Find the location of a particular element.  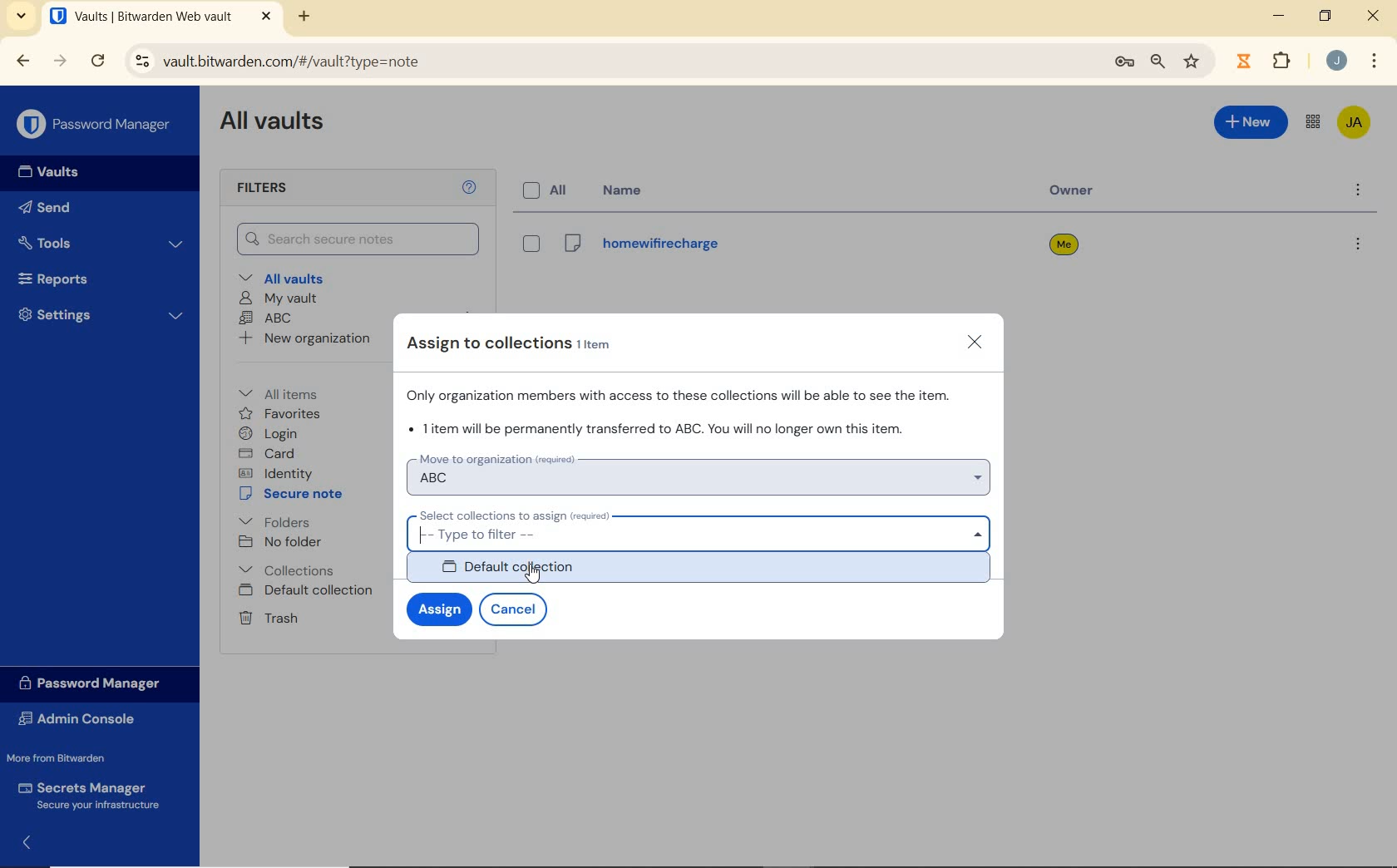

Filters is located at coordinates (281, 189).